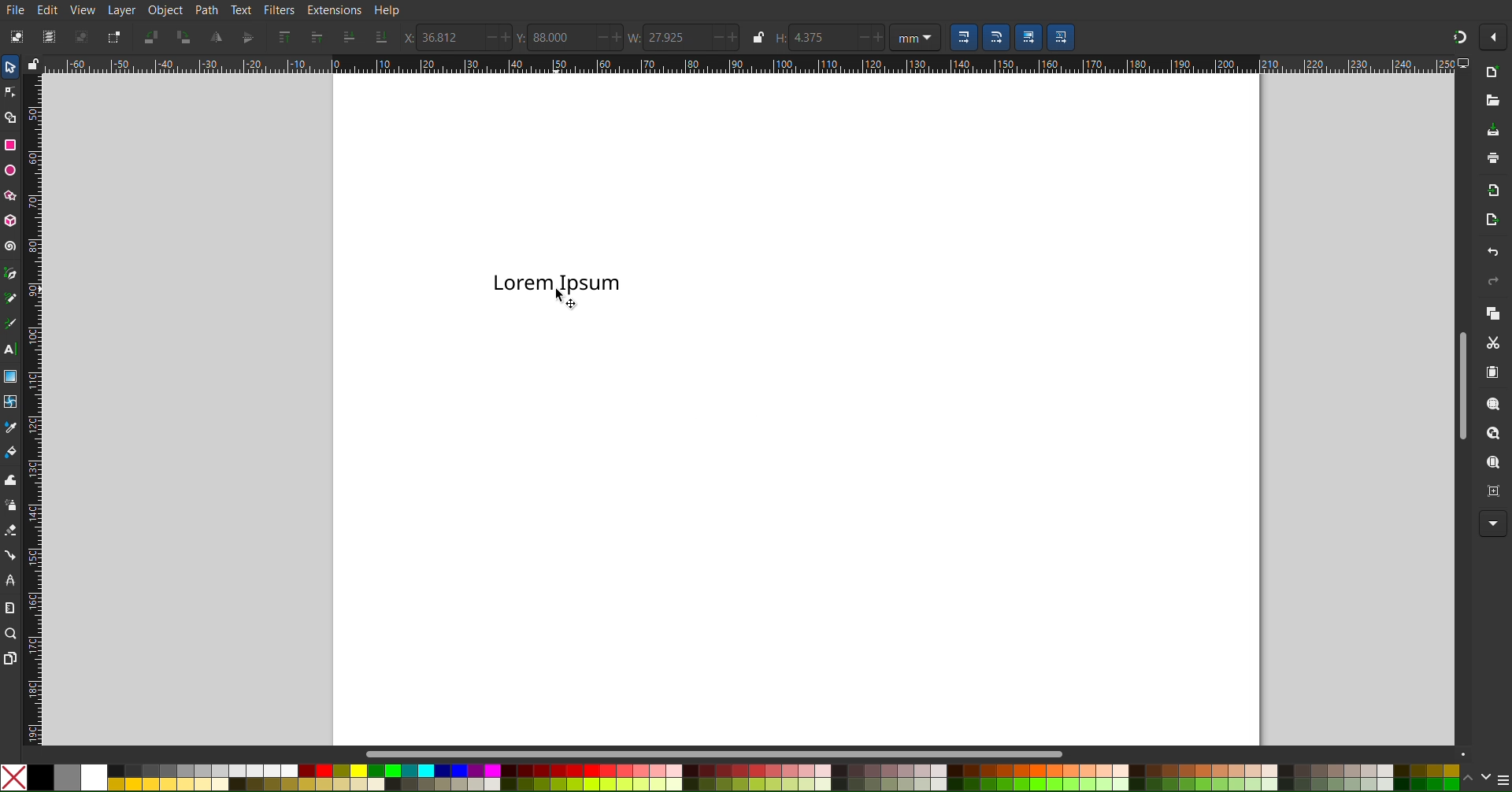 This screenshot has height=792, width=1512. I want to click on New, so click(1497, 71).